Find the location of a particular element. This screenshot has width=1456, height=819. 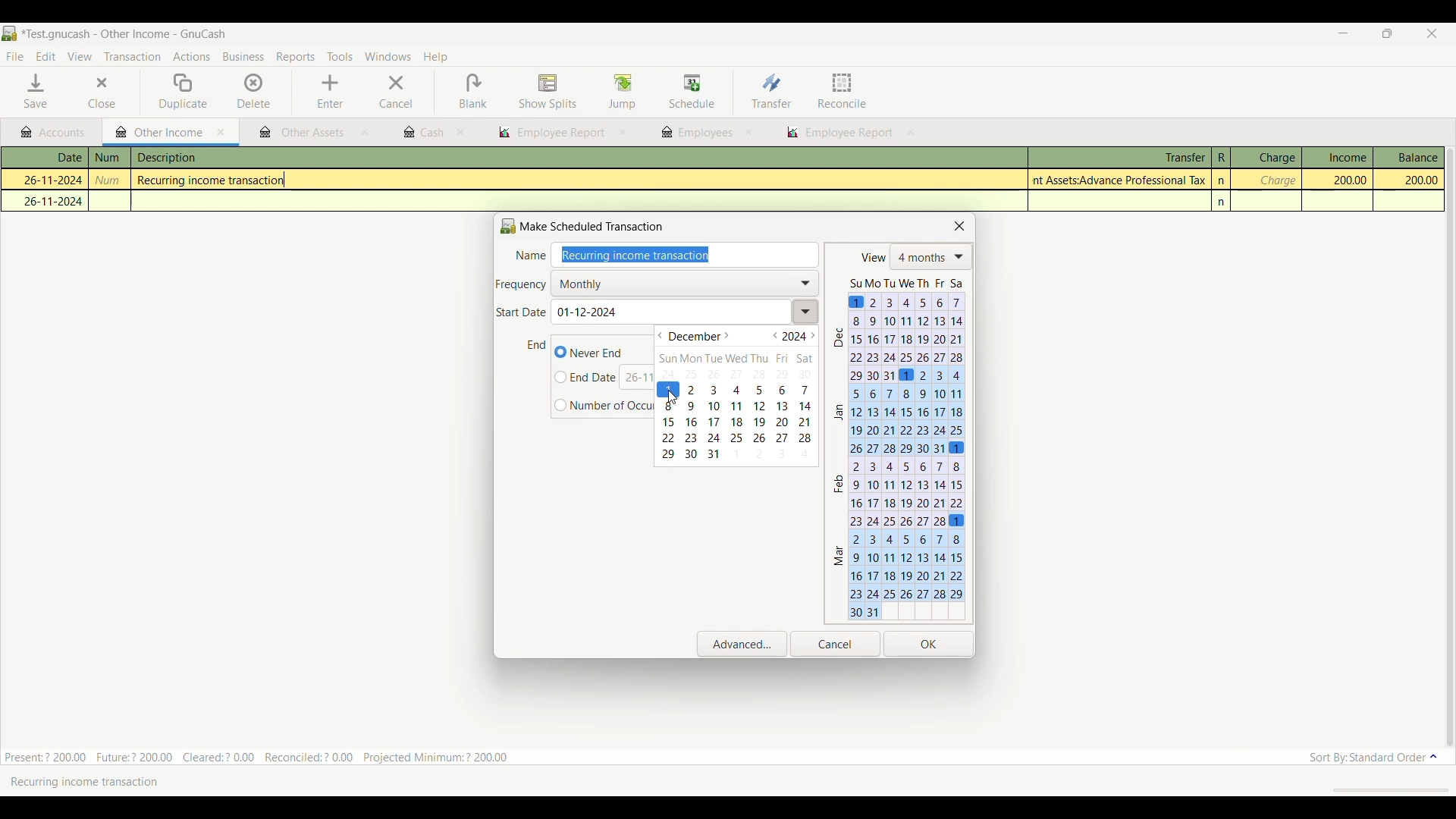

num is located at coordinates (109, 158).